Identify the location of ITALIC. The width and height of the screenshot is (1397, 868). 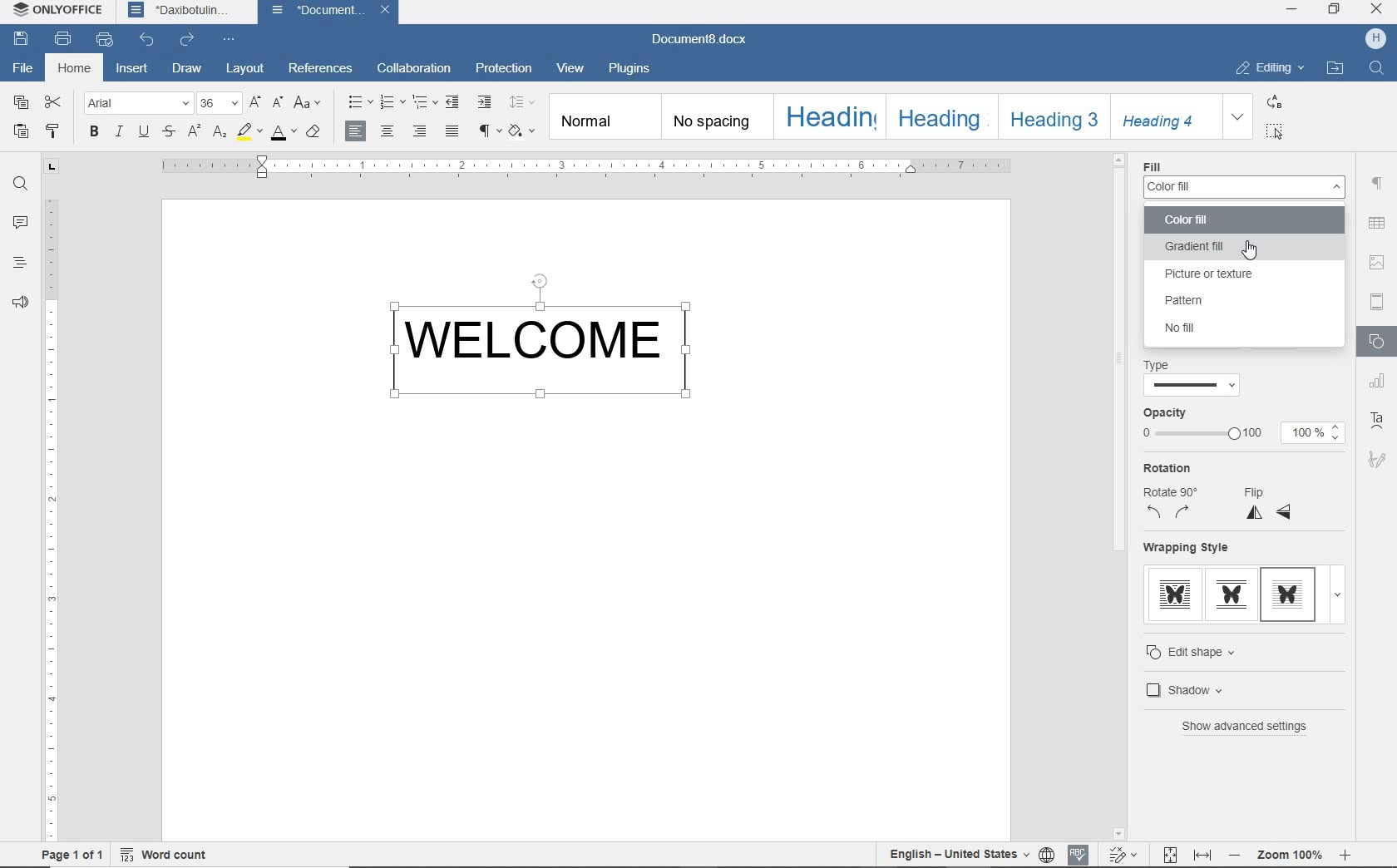
(118, 131).